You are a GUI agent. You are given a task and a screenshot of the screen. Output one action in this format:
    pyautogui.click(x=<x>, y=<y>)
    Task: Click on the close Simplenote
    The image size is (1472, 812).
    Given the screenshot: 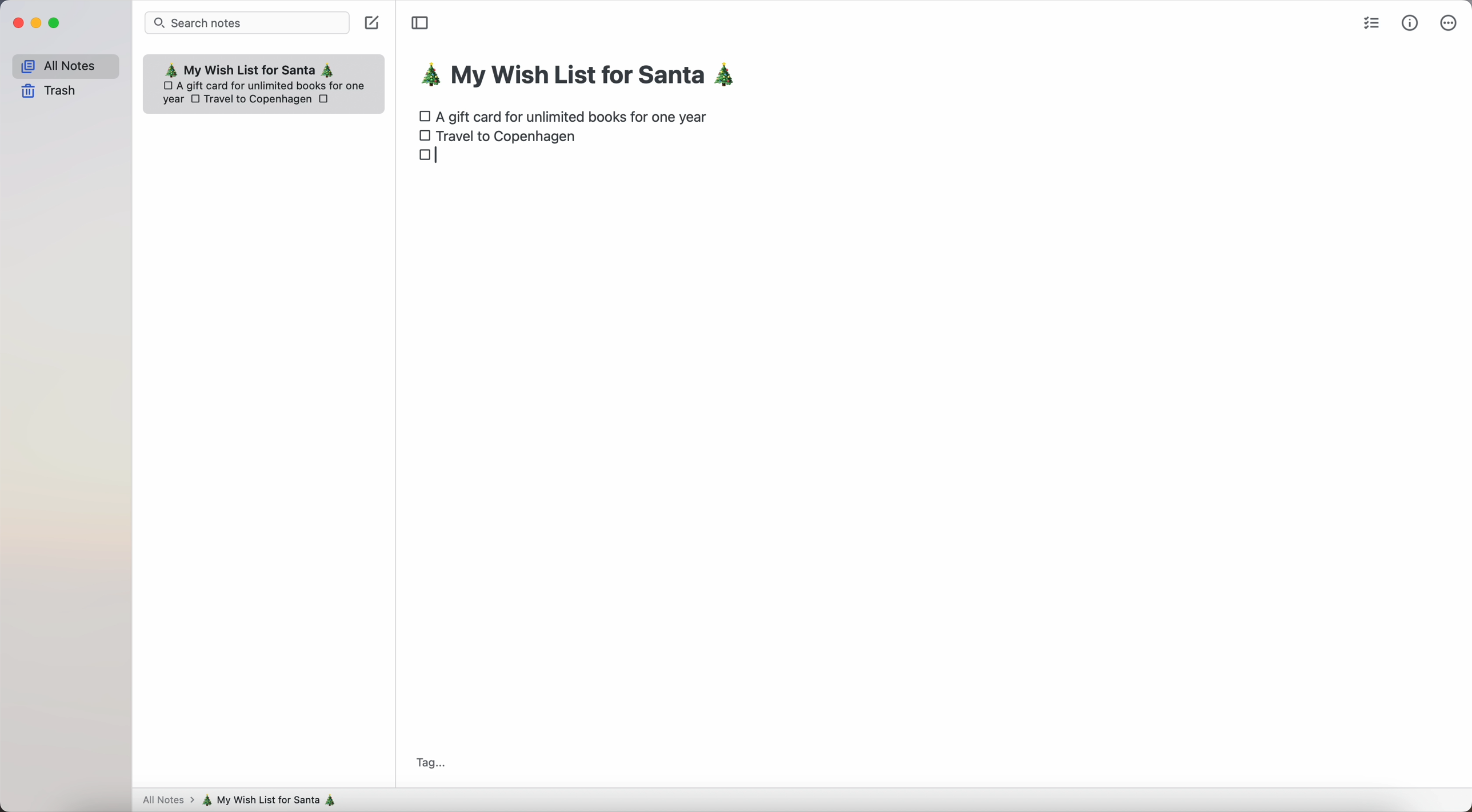 What is the action you would take?
    pyautogui.click(x=16, y=23)
    